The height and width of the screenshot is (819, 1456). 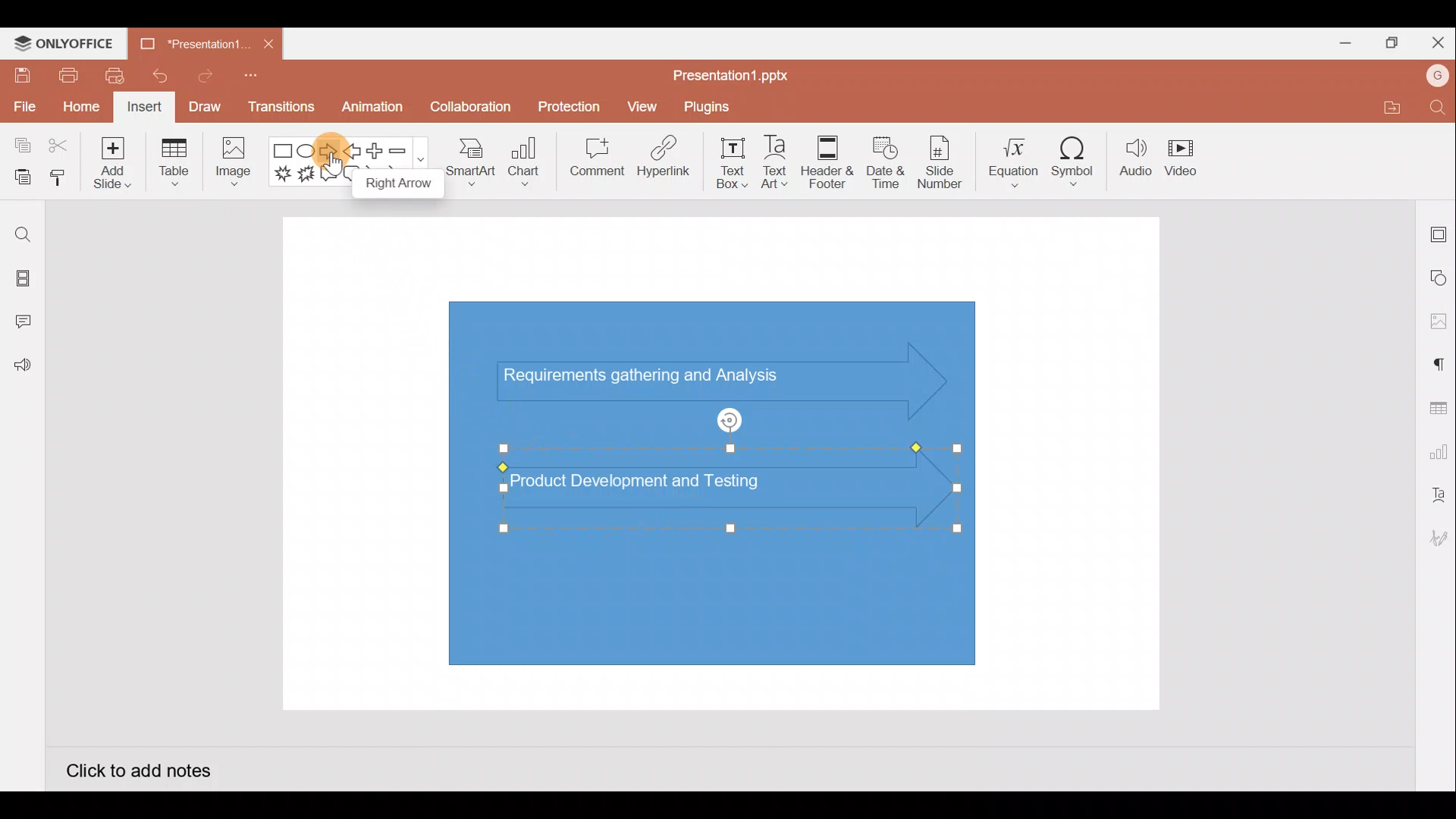 I want to click on Equation, so click(x=1015, y=157).